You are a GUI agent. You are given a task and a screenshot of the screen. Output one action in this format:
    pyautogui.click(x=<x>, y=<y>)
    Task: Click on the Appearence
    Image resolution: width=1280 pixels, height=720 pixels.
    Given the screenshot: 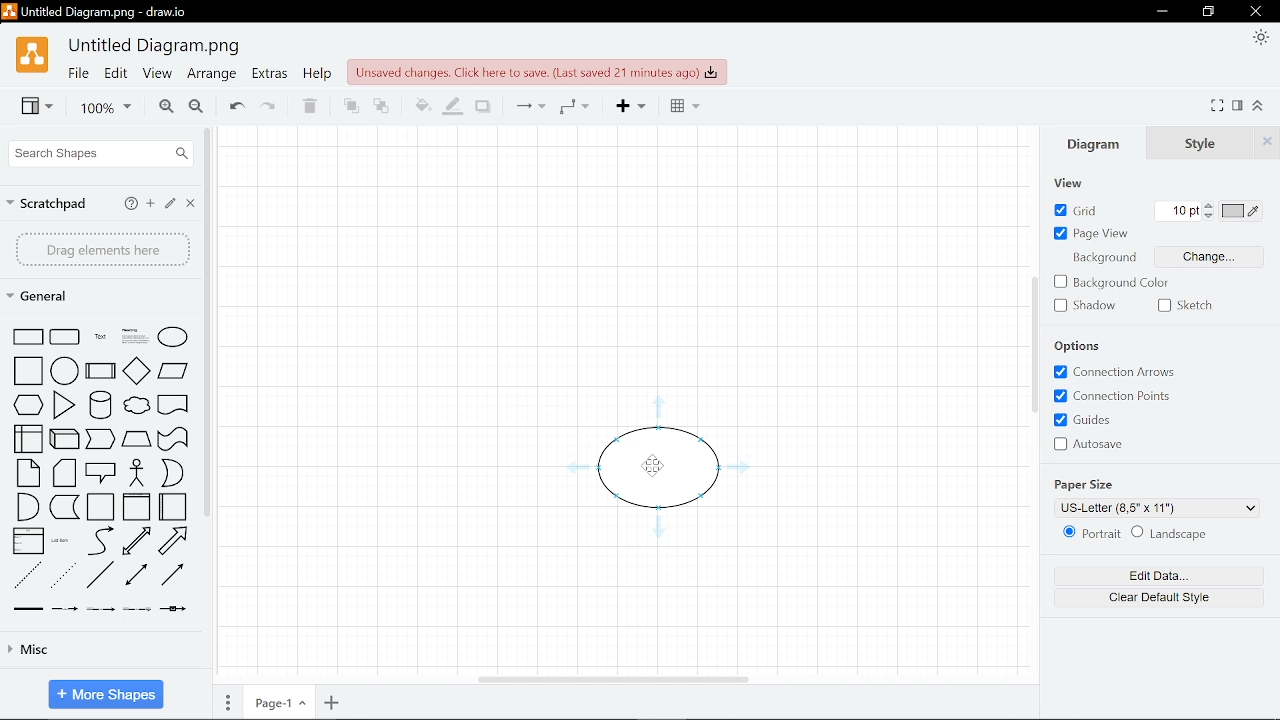 What is the action you would take?
    pyautogui.click(x=1258, y=38)
    